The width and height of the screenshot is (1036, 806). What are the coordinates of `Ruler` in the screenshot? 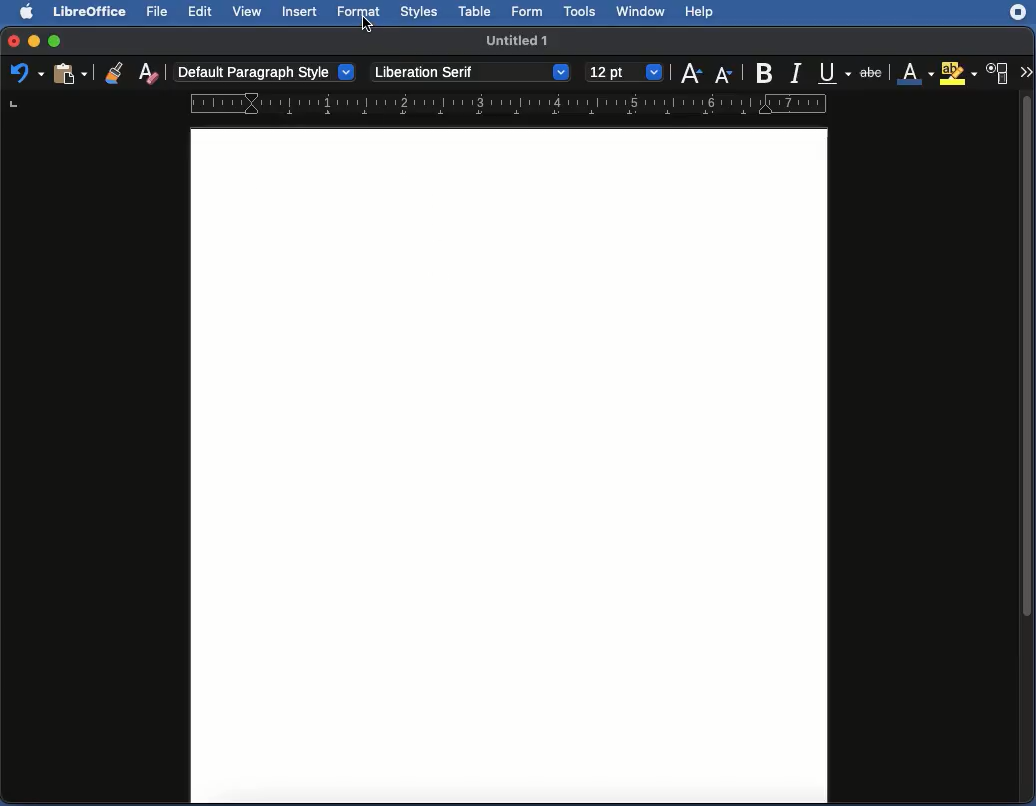 It's located at (509, 104).